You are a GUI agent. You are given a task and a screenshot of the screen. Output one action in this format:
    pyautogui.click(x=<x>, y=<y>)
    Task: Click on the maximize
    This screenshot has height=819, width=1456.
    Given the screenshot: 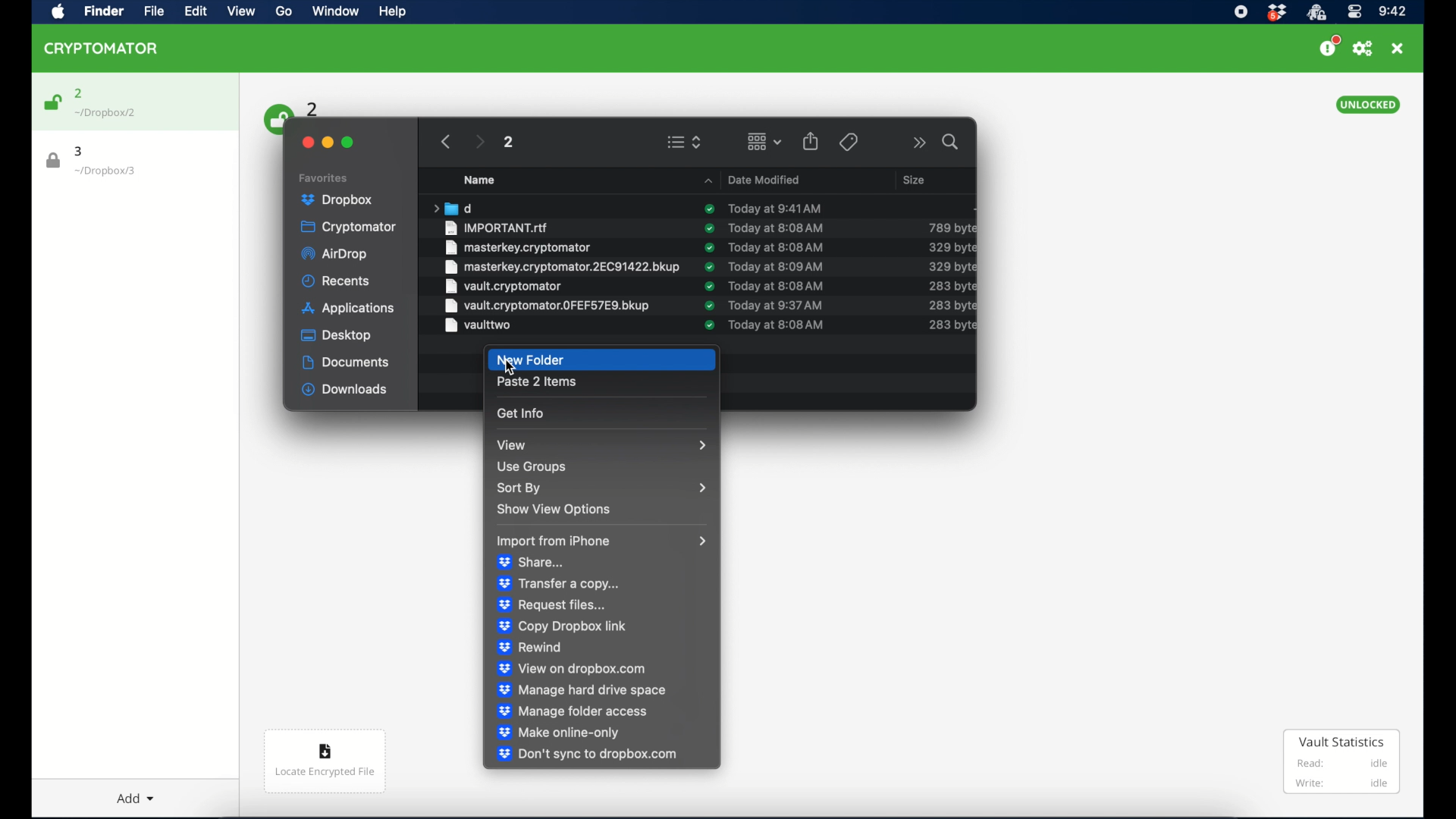 What is the action you would take?
    pyautogui.click(x=348, y=143)
    